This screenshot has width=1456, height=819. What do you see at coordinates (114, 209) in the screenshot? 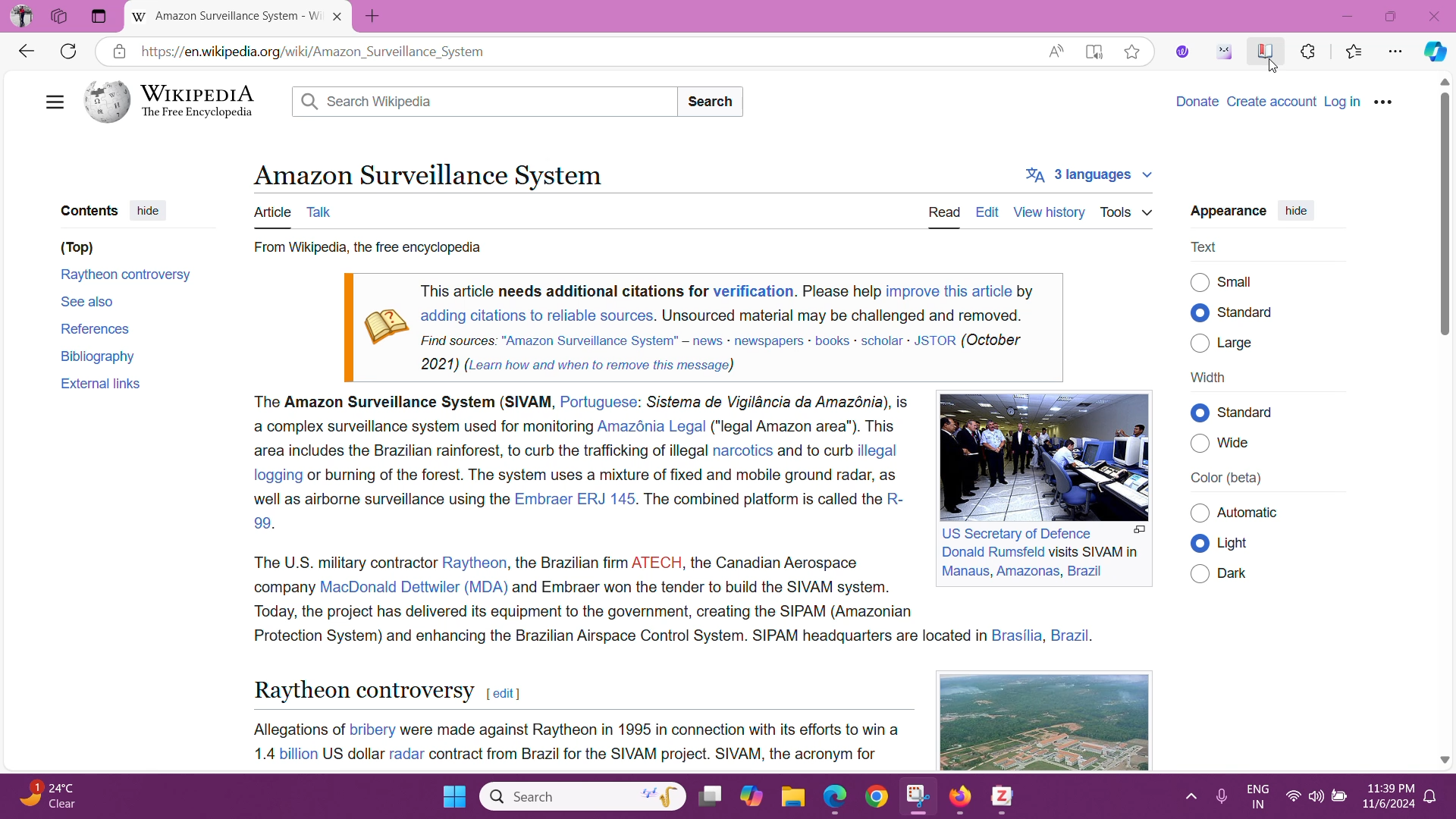
I see `Contents hide` at bounding box center [114, 209].